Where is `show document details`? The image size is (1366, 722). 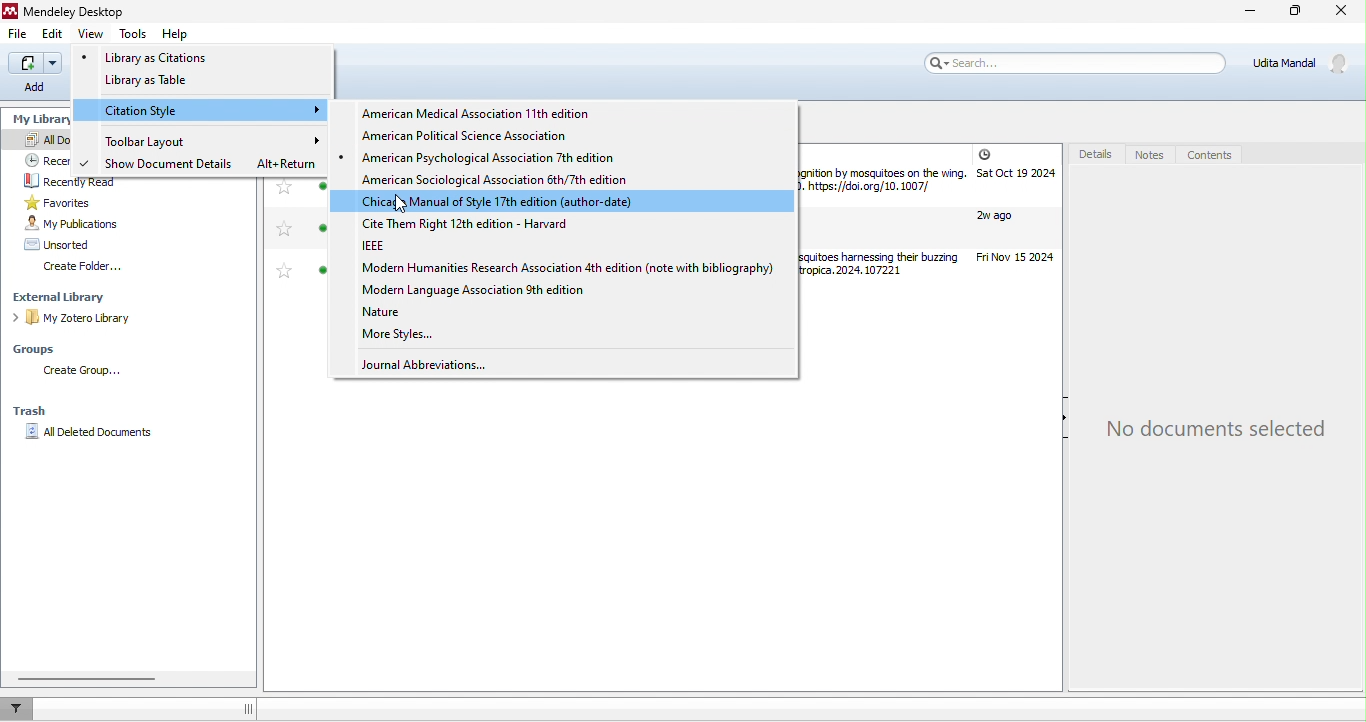 show document details is located at coordinates (201, 167).